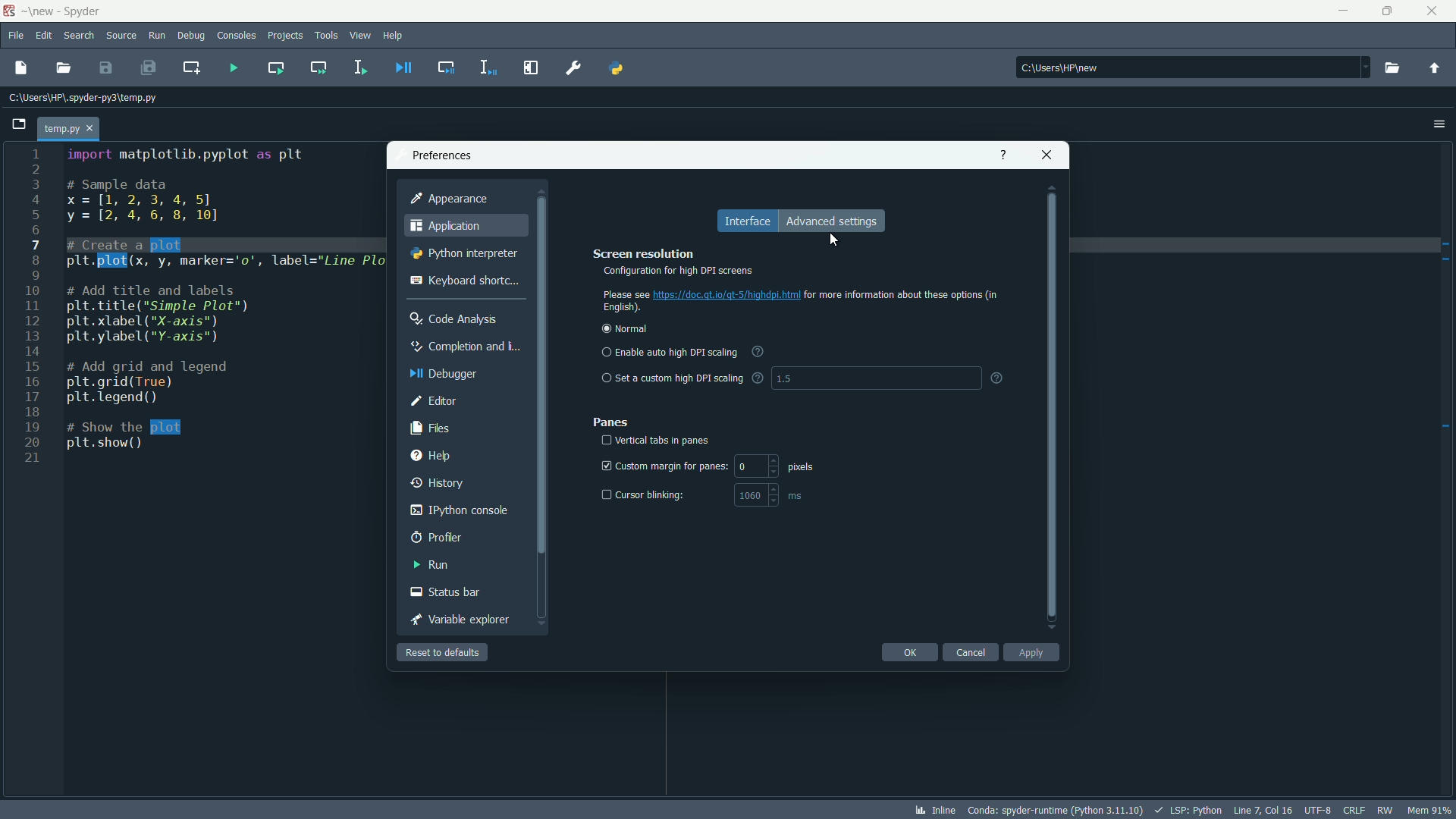 The image size is (1456, 819). What do you see at coordinates (626, 331) in the screenshot?
I see `normal` at bounding box center [626, 331].